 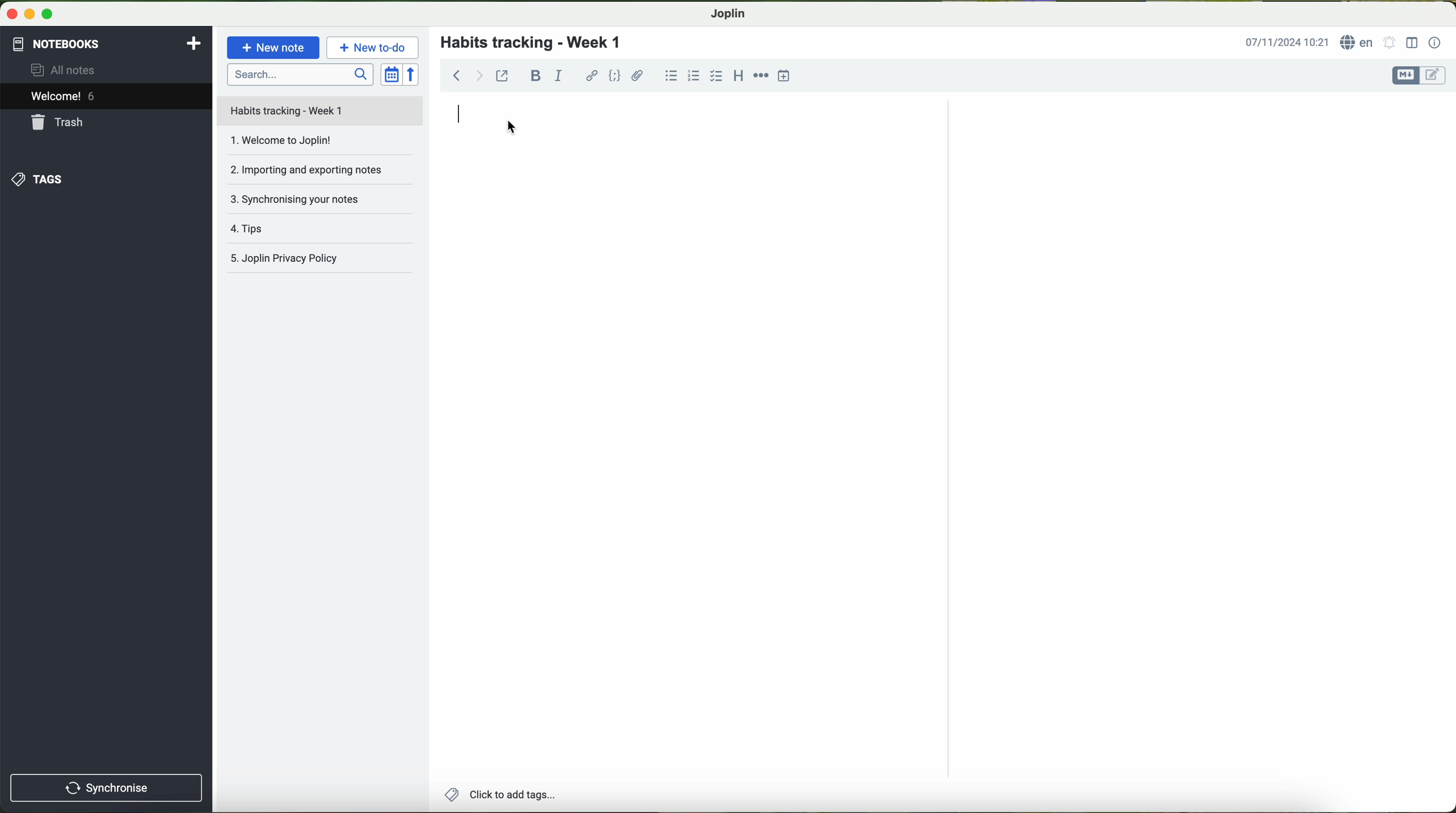 I want to click on tips, so click(x=322, y=231).